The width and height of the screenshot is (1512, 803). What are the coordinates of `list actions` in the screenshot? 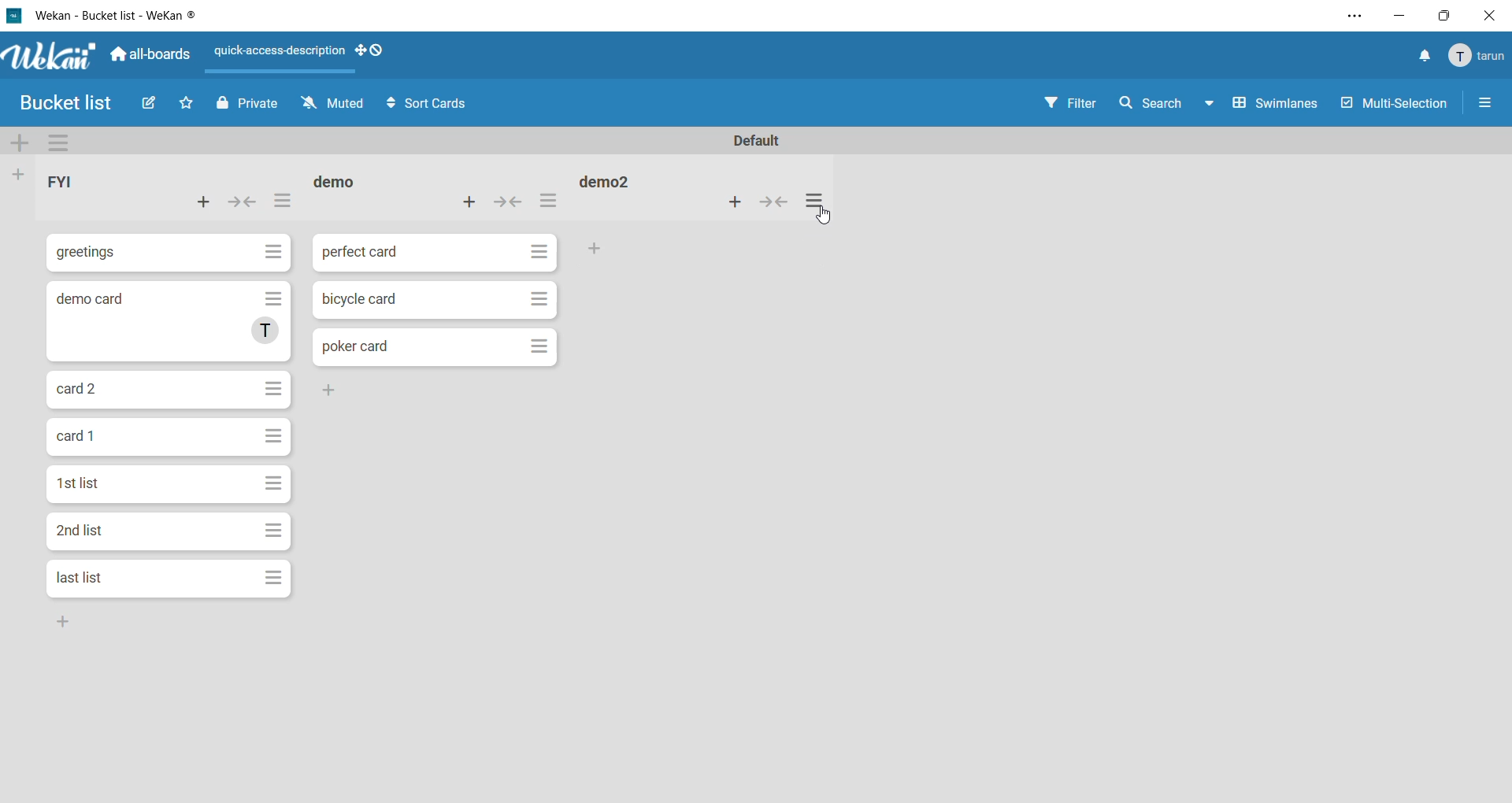 It's located at (282, 204).